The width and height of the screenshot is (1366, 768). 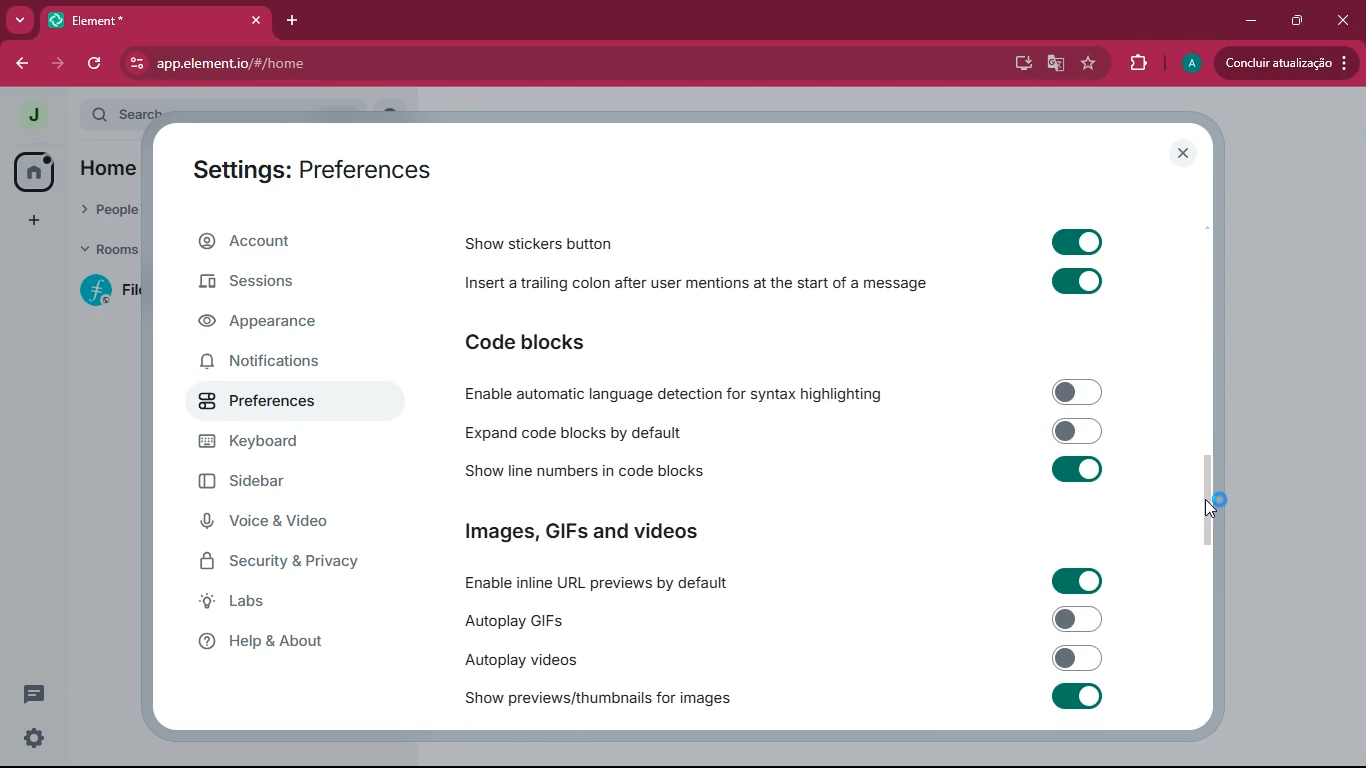 I want to click on minimize, so click(x=1248, y=21).